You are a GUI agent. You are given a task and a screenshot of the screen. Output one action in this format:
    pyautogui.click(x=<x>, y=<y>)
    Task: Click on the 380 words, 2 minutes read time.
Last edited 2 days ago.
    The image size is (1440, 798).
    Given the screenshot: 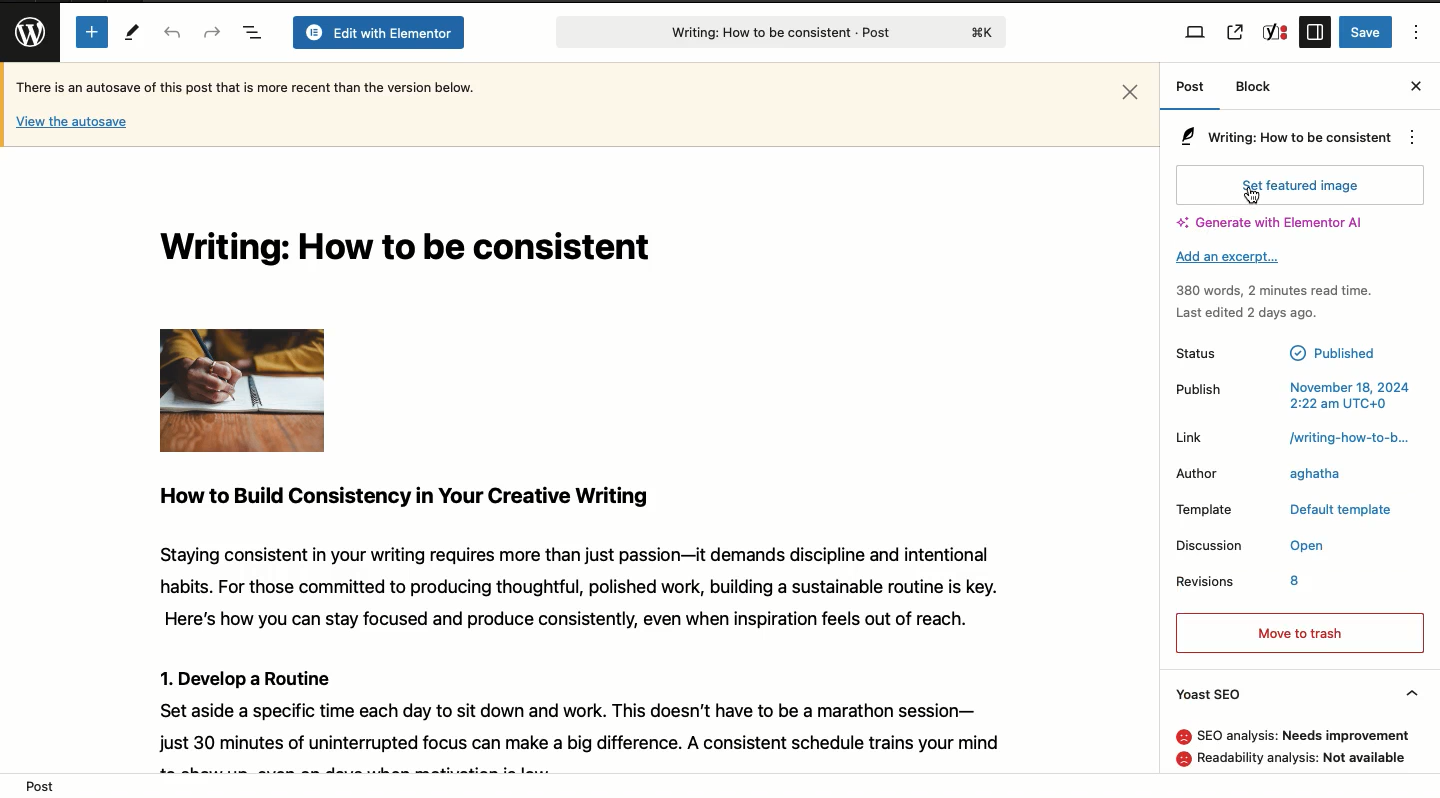 What is the action you would take?
    pyautogui.click(x=1276, y=302)
    